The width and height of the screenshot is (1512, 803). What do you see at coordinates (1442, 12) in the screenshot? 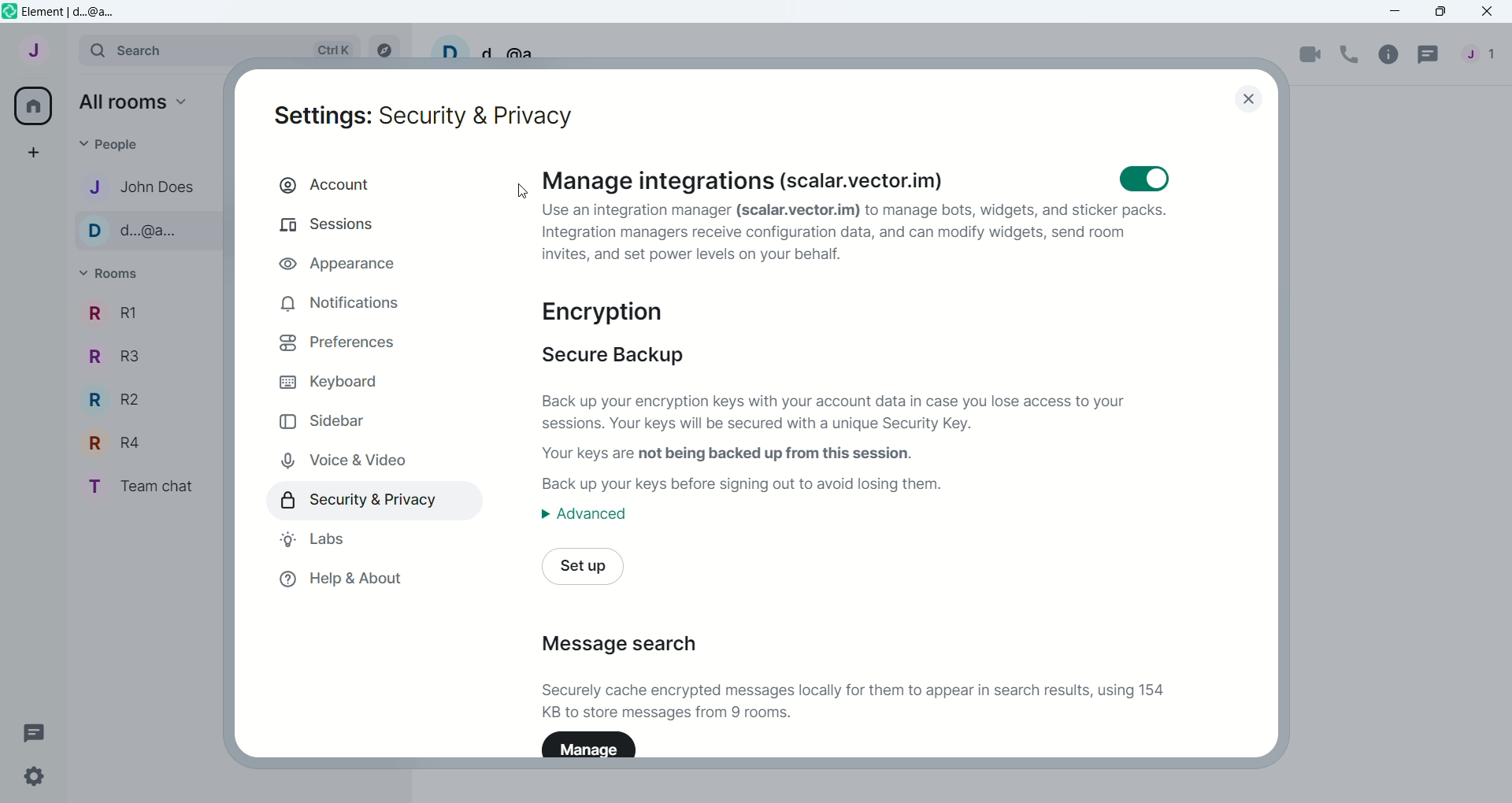
I see `maximize` at bounding box center [1442, 12].